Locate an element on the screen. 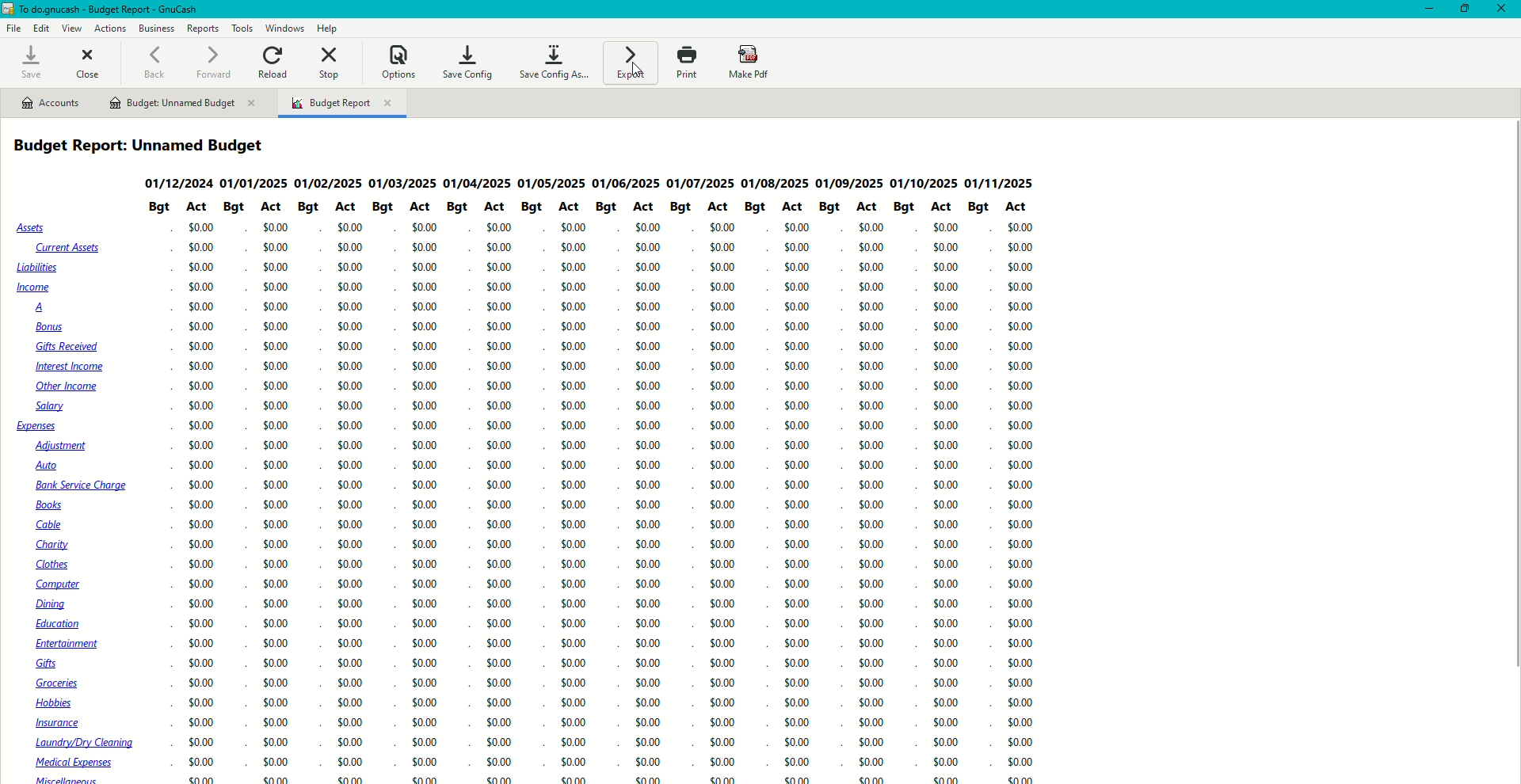 The height and width of the screenshot is (784, 1521).  is located at coordinates (650, 462).